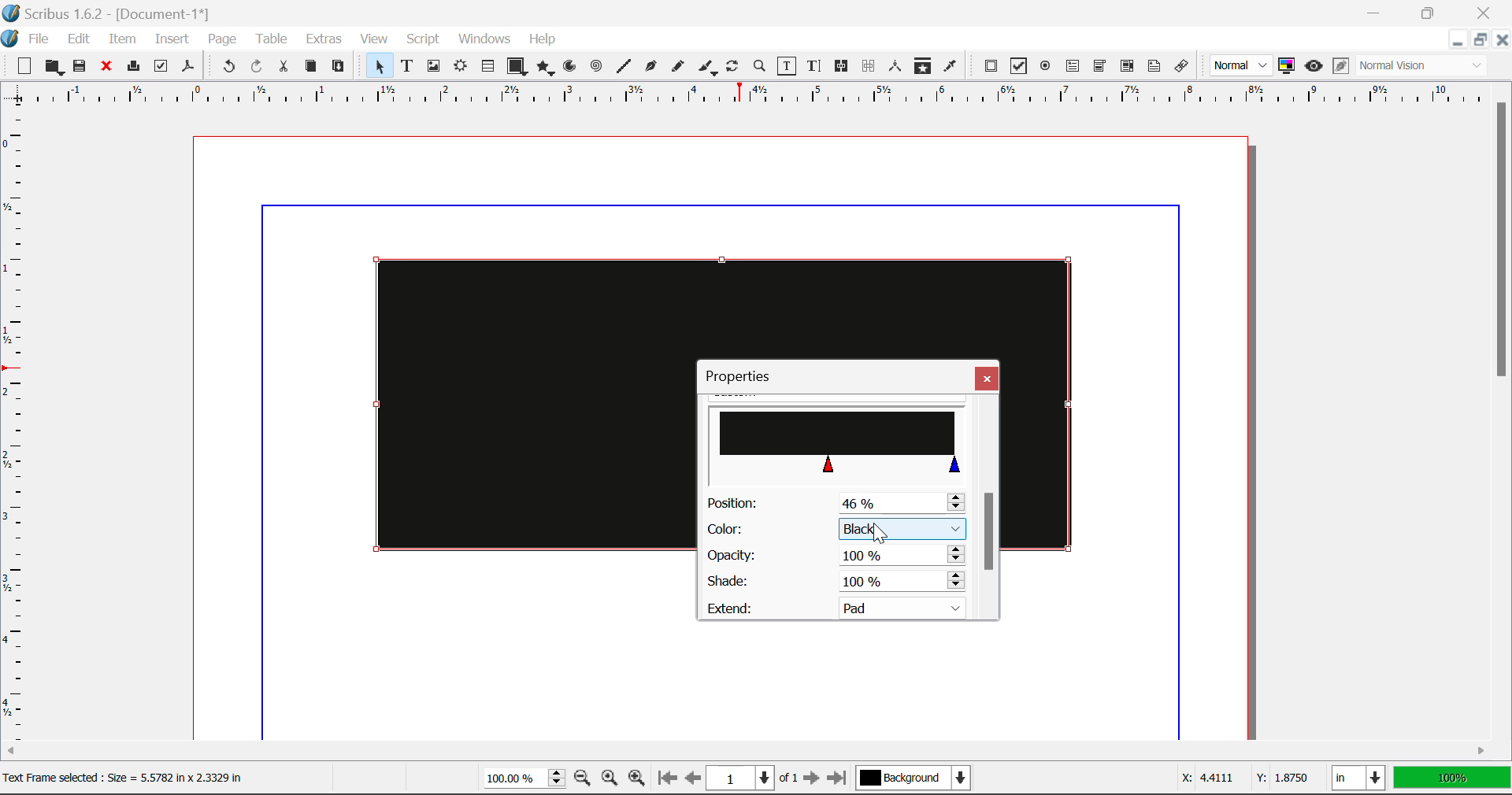 The height and width of the screenshot is (795, 1512). What do you see at coordinates (433, 68) in the screenshot?
I see `Image Frame` at bounding box center [433, 68].